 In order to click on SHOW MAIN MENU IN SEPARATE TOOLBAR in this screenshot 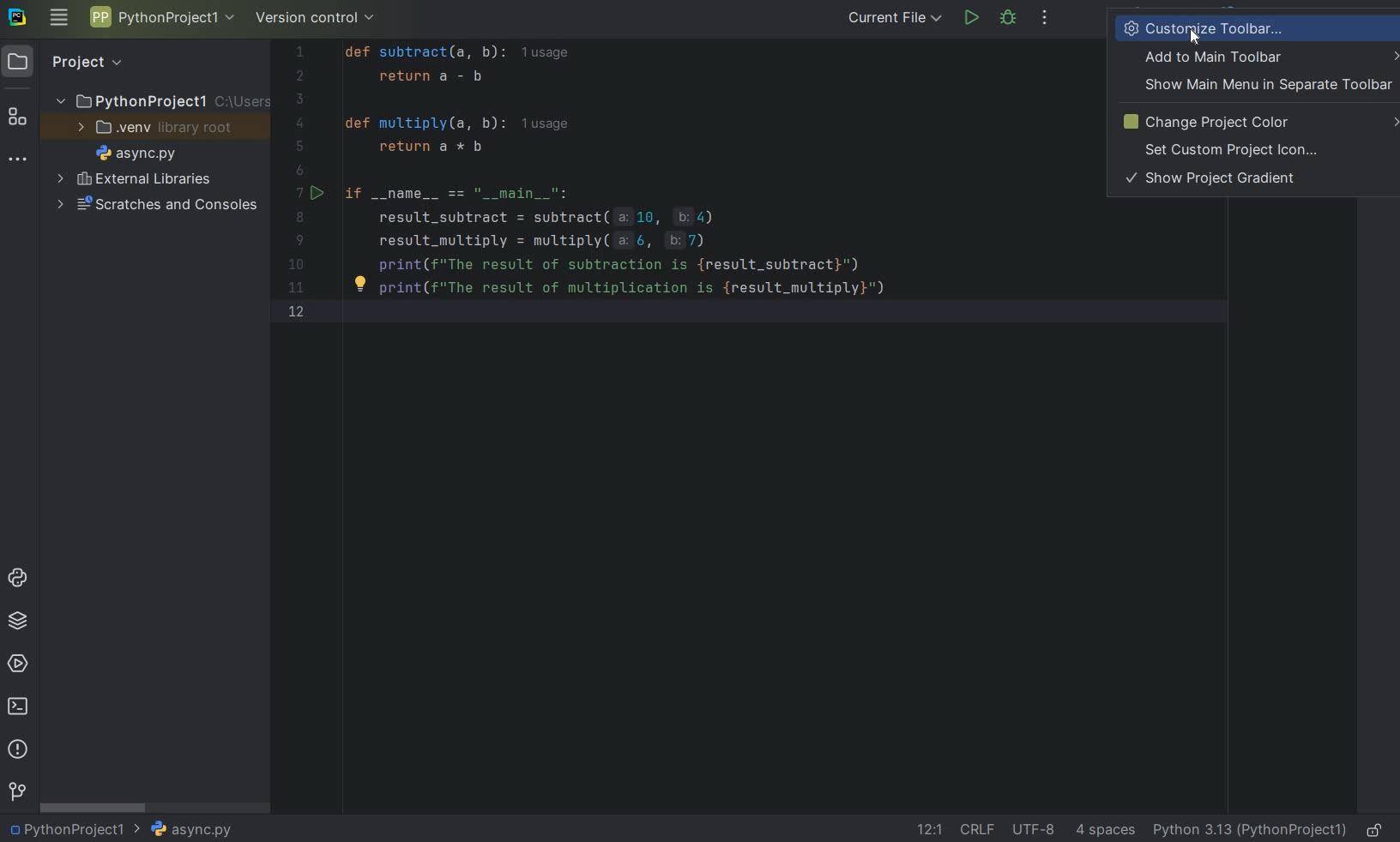, I will do `click(1264, 85)`.